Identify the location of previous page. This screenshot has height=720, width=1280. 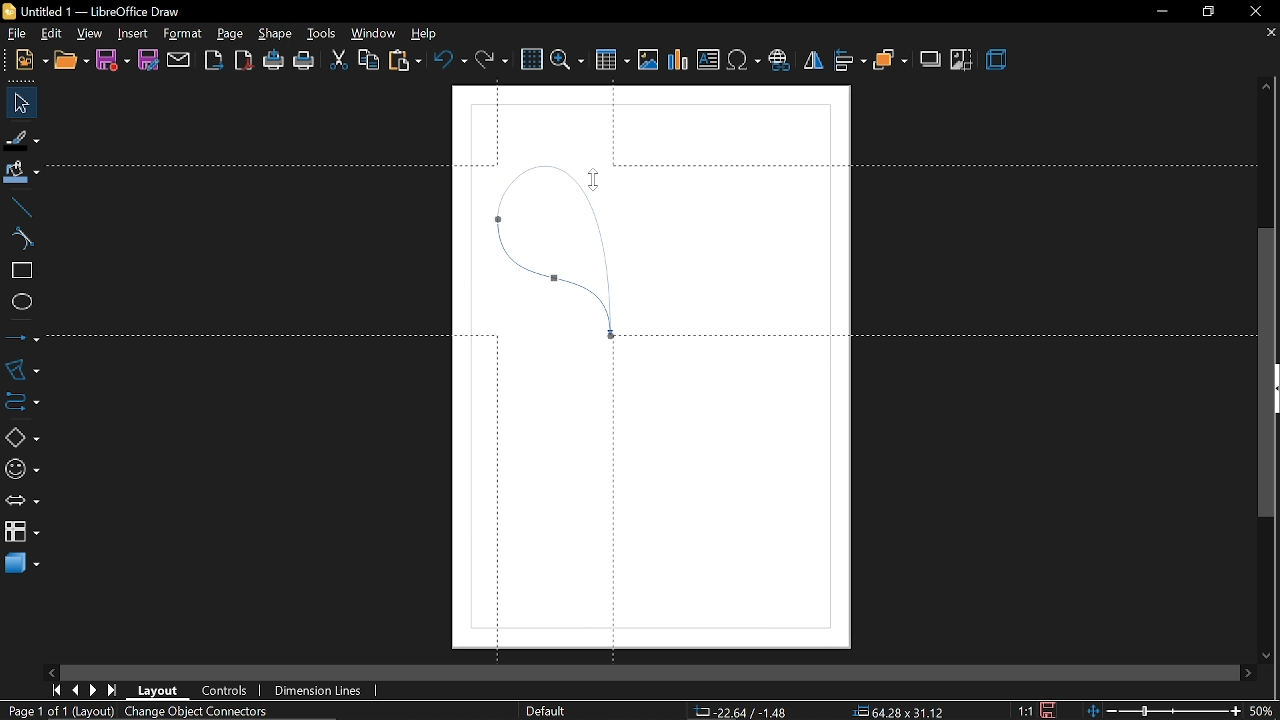
(74, 691).